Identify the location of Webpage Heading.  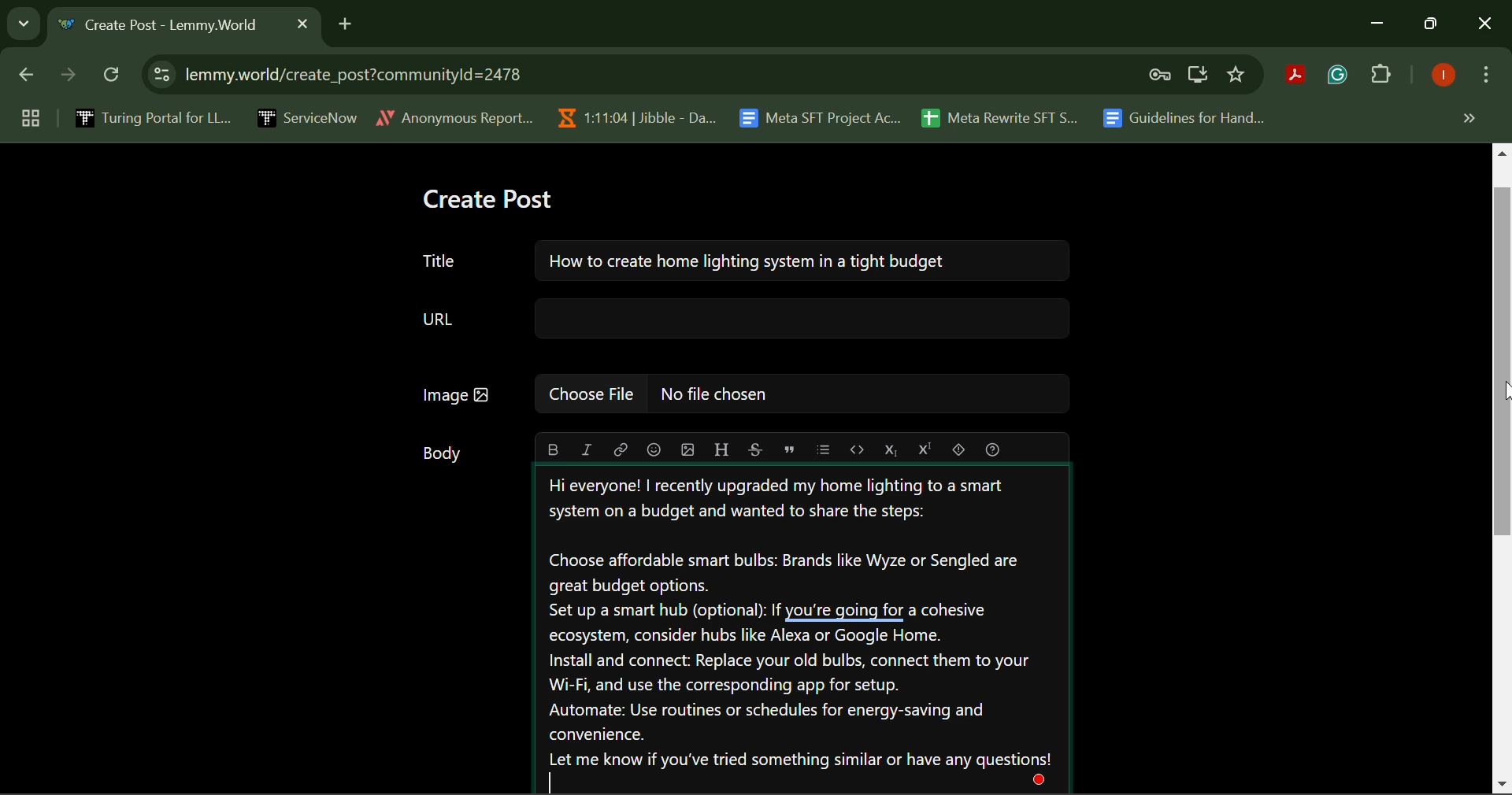
(167, 27).